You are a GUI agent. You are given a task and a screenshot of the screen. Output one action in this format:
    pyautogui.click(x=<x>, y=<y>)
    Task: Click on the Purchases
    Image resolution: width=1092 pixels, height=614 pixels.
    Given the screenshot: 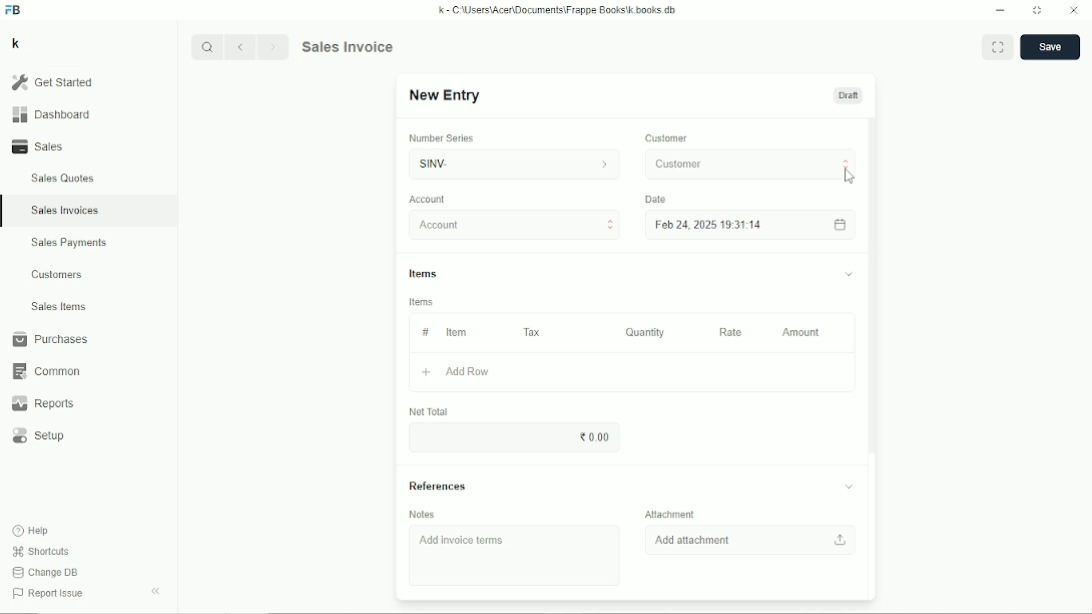 What is the action you would take?
    pyautogui.click(x=49, y=339)
    